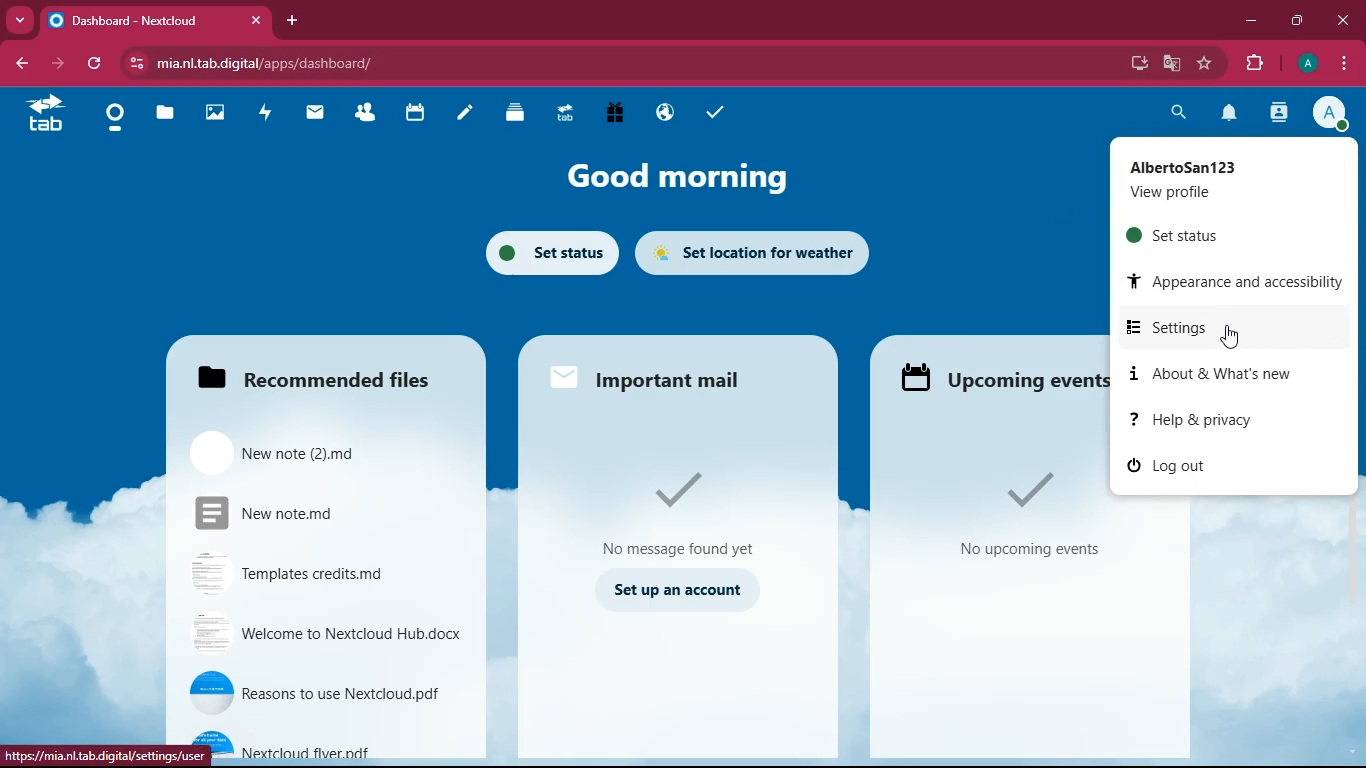  I want to click on settings, so click(1228, 329).